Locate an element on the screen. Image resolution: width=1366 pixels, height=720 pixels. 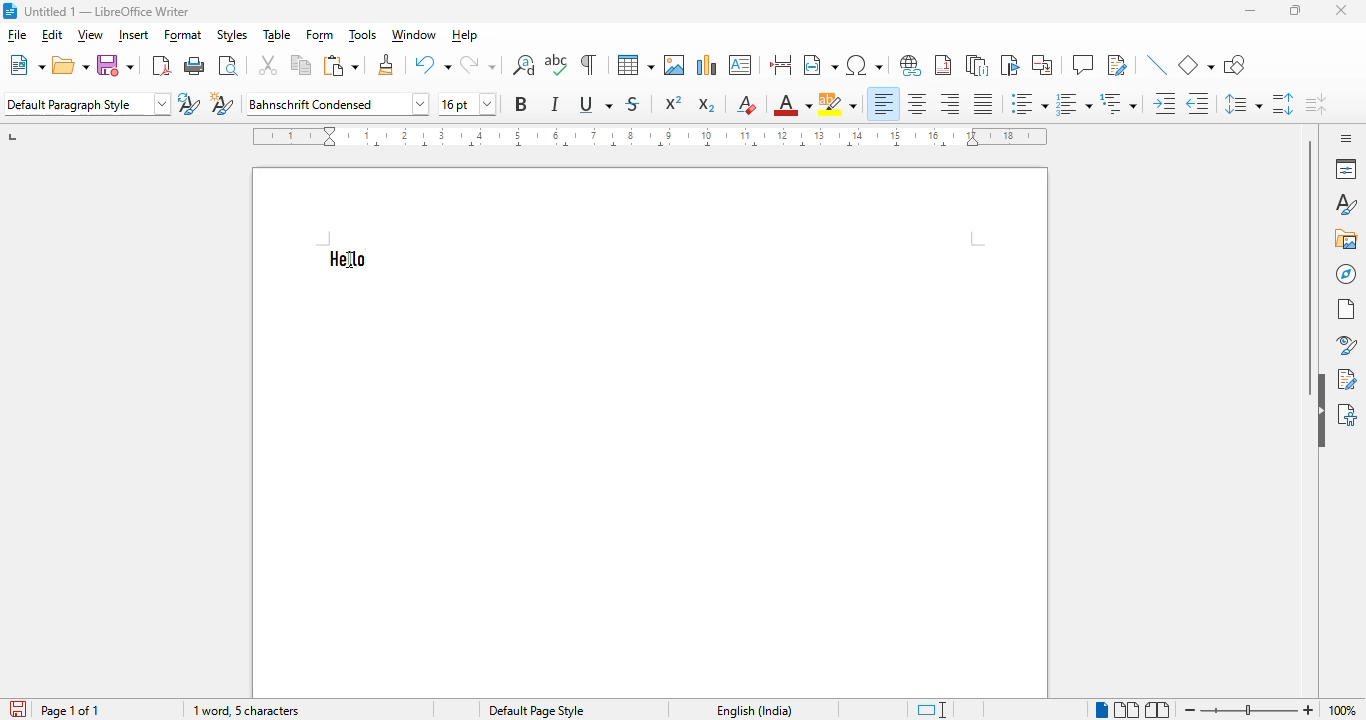
increase indent is located at coordinates (1165, 104).